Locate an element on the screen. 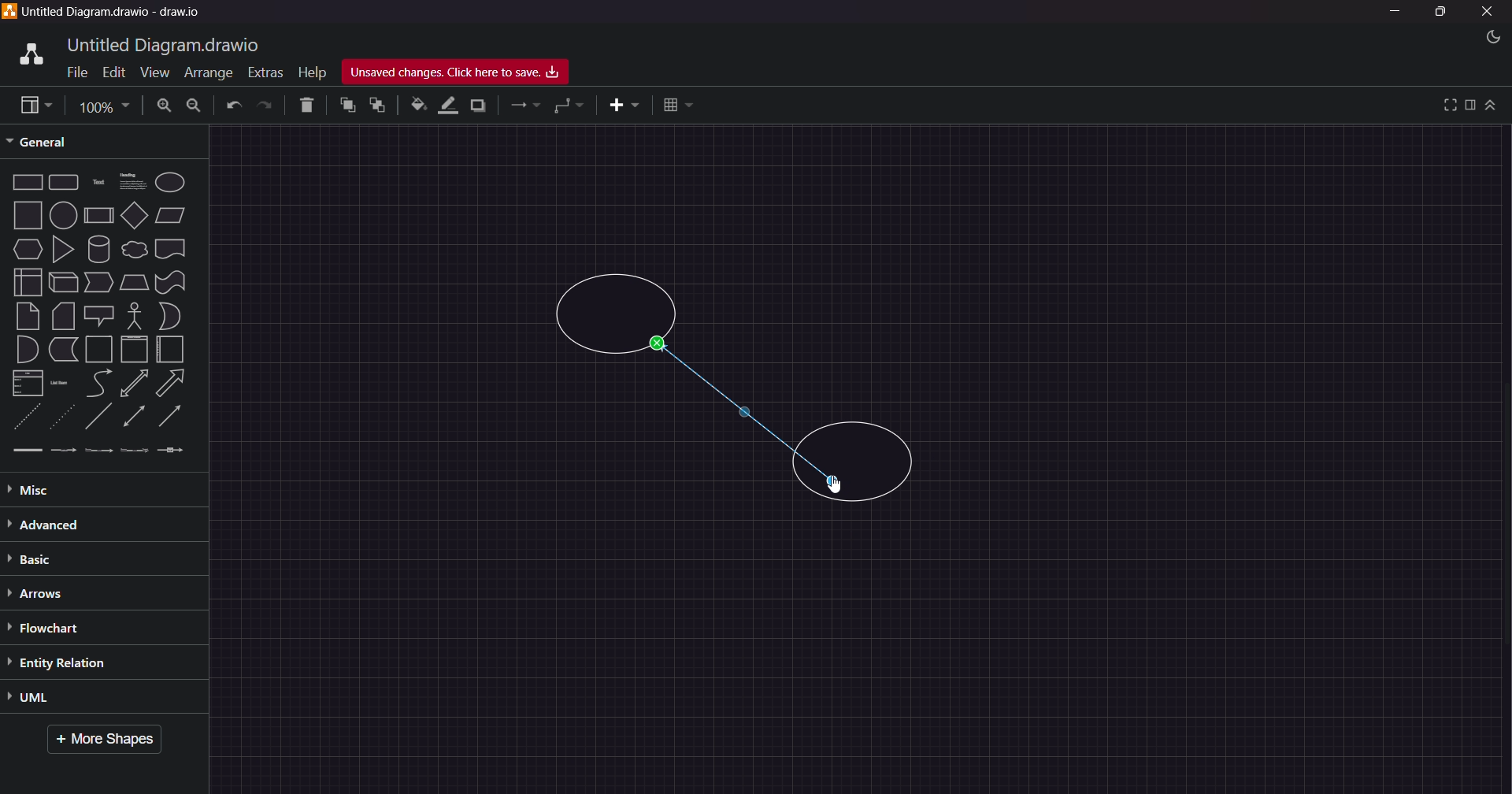 The image size is (1512, 794). Maximize is located at coordinates (1440, 14).